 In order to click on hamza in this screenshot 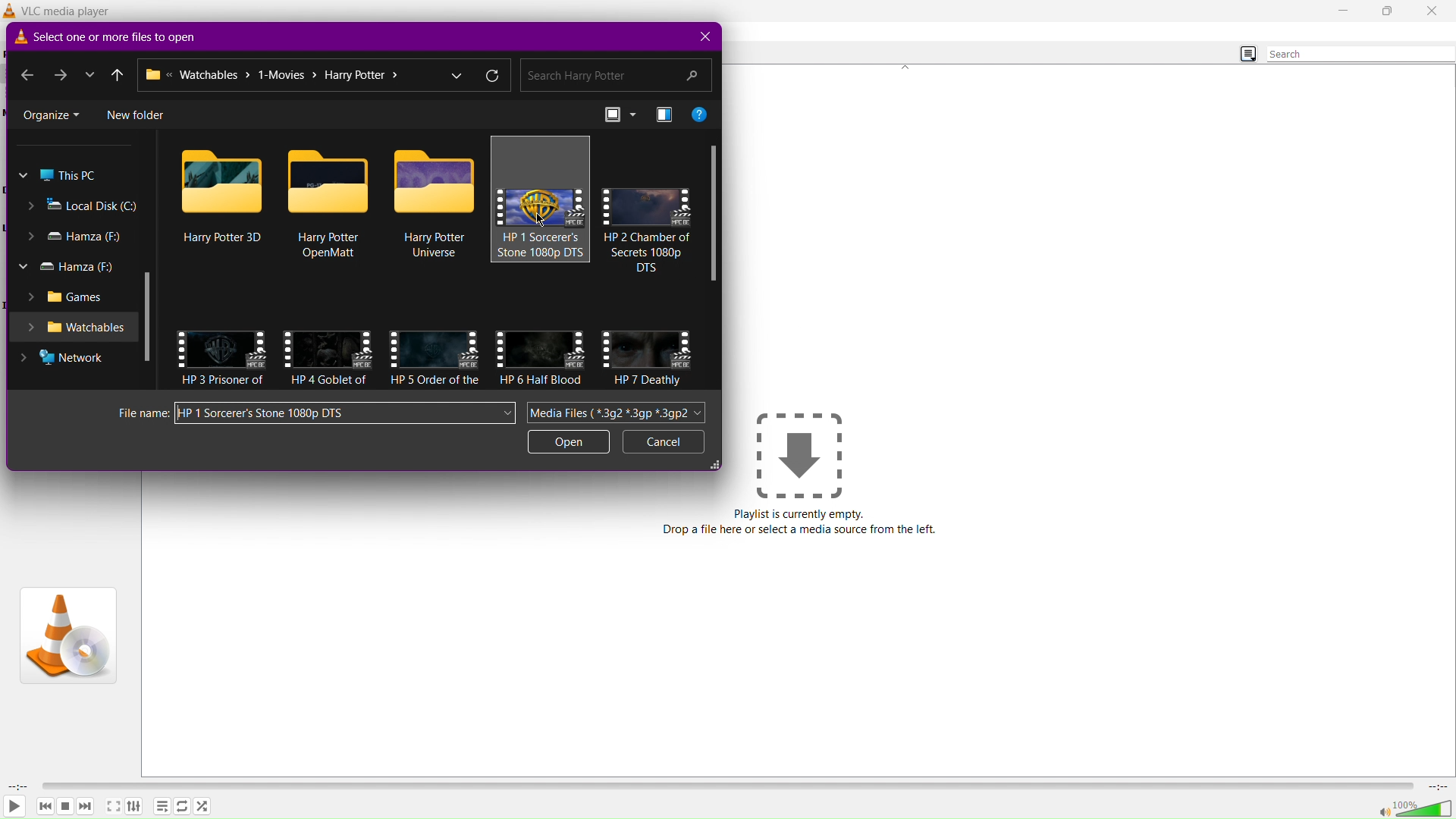, I will do `click(75, 236)`.